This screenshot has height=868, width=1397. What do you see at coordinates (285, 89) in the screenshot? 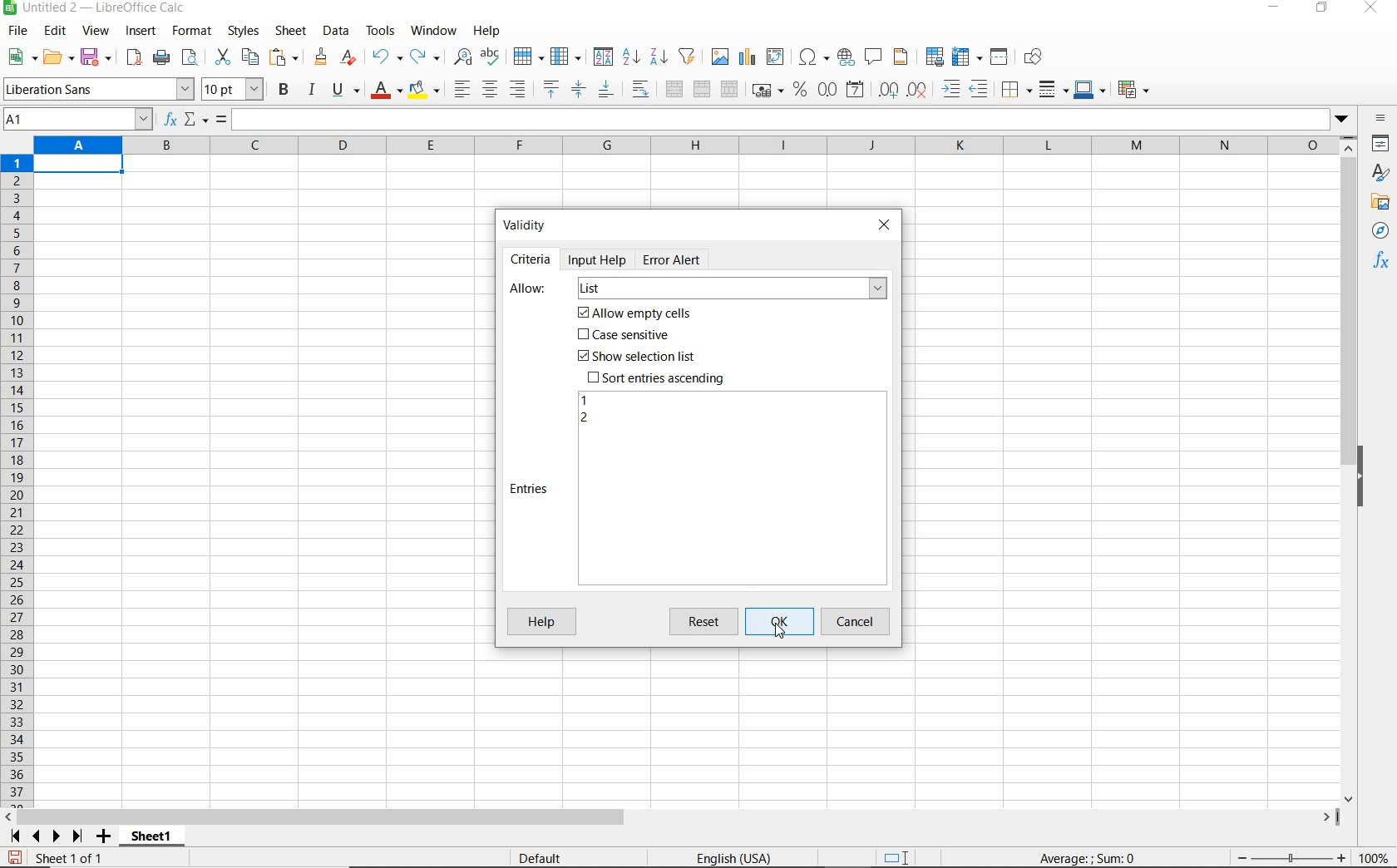
I see `bold` at bounding box center [285, 89].